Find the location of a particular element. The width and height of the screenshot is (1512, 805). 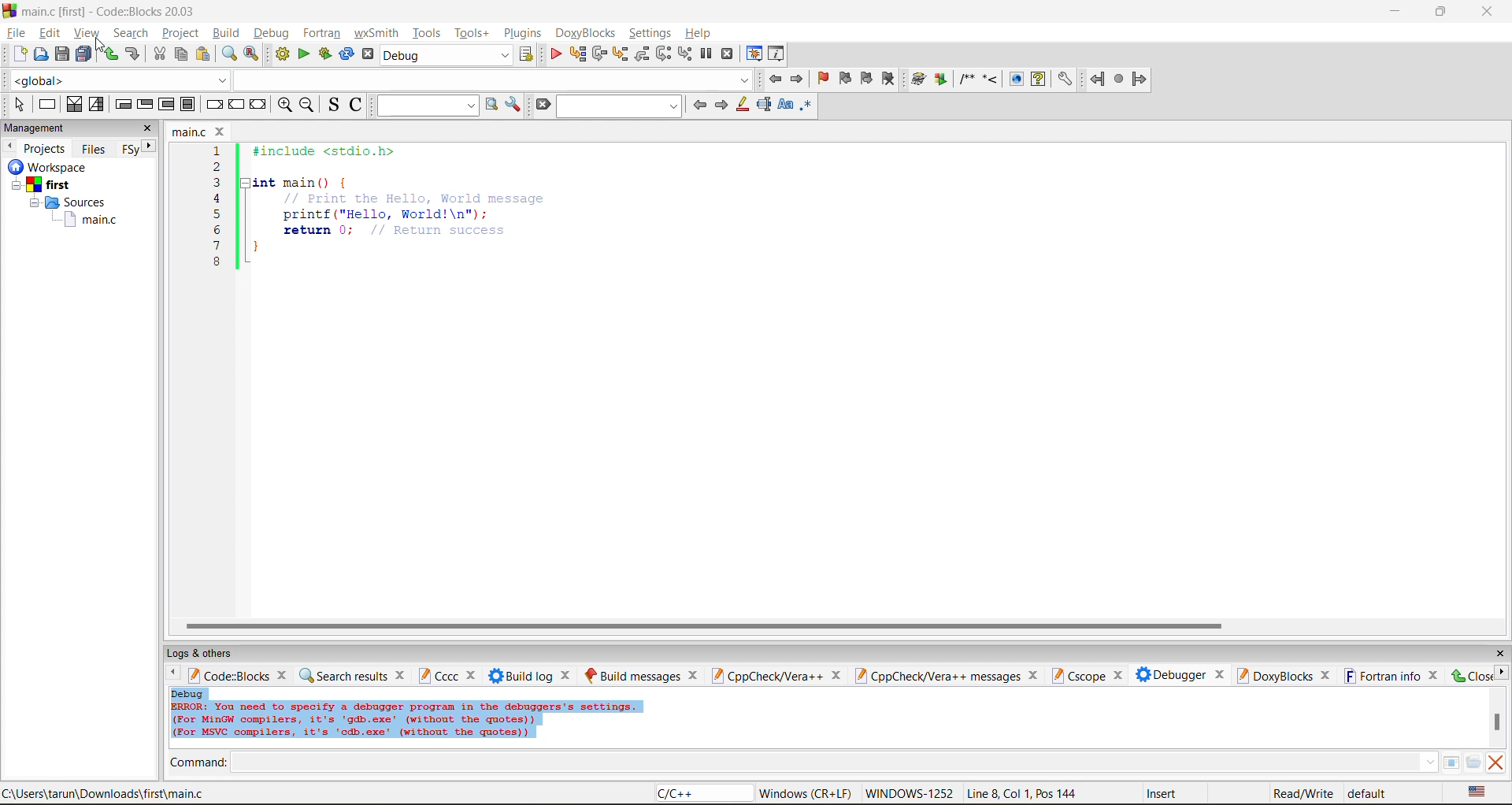

view is located at coordinates (85, 32).